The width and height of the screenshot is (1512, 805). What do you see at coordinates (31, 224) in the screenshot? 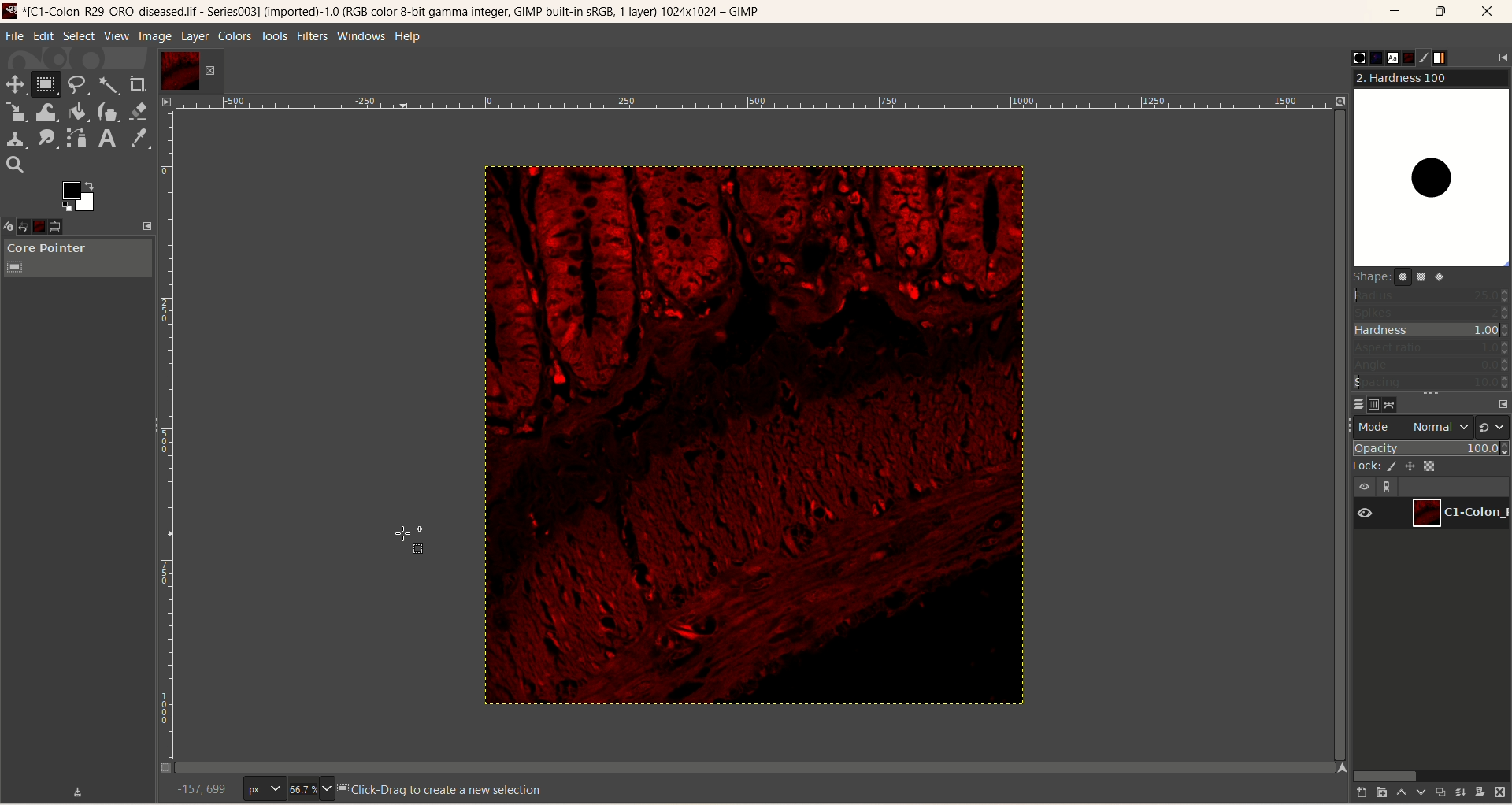
I see `option` at bounding box center [31, 224].